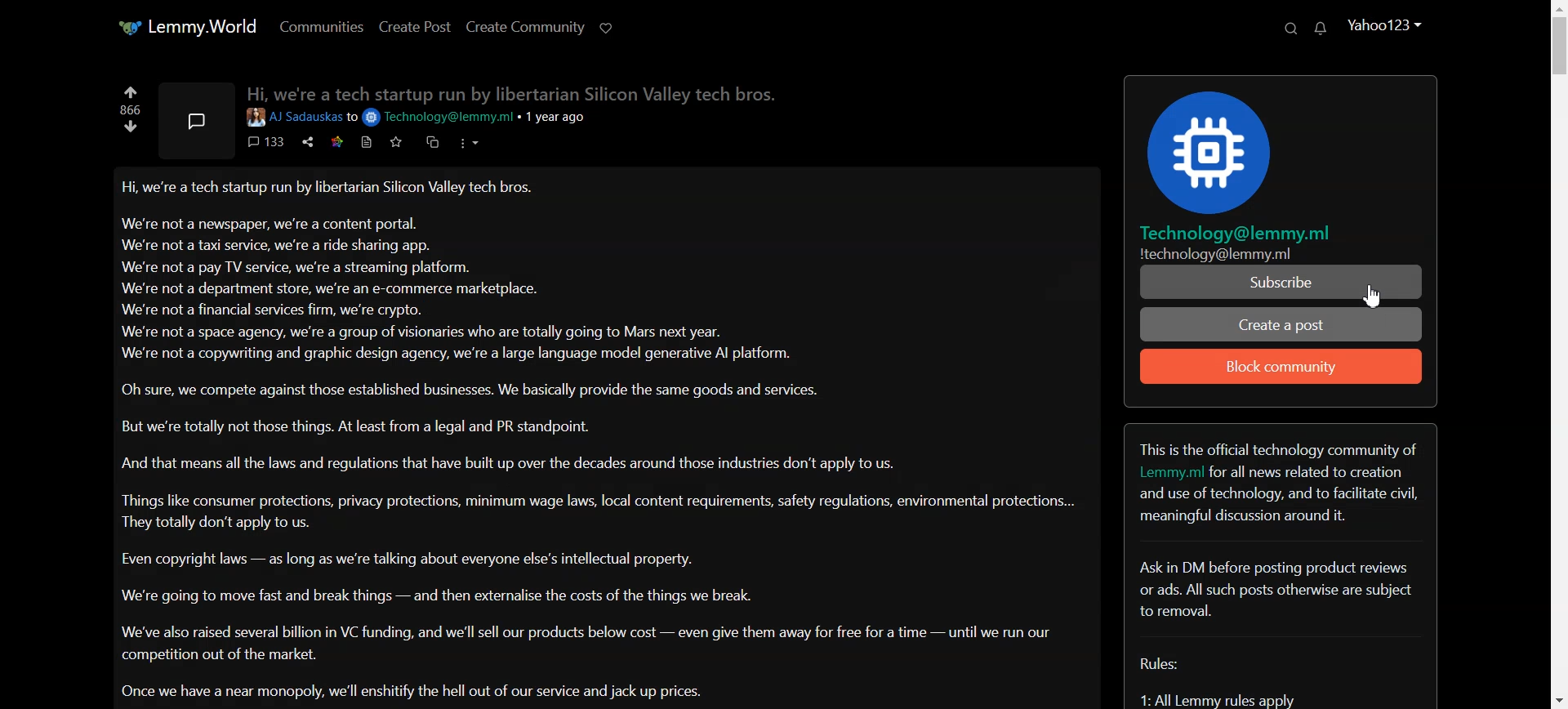 Image resolution: width=1568 pixels, height=709 pixels. What do you see at coordinates (552, 116) in the screenshot?
I see `1 year ago` at bounding box center [552, 116].